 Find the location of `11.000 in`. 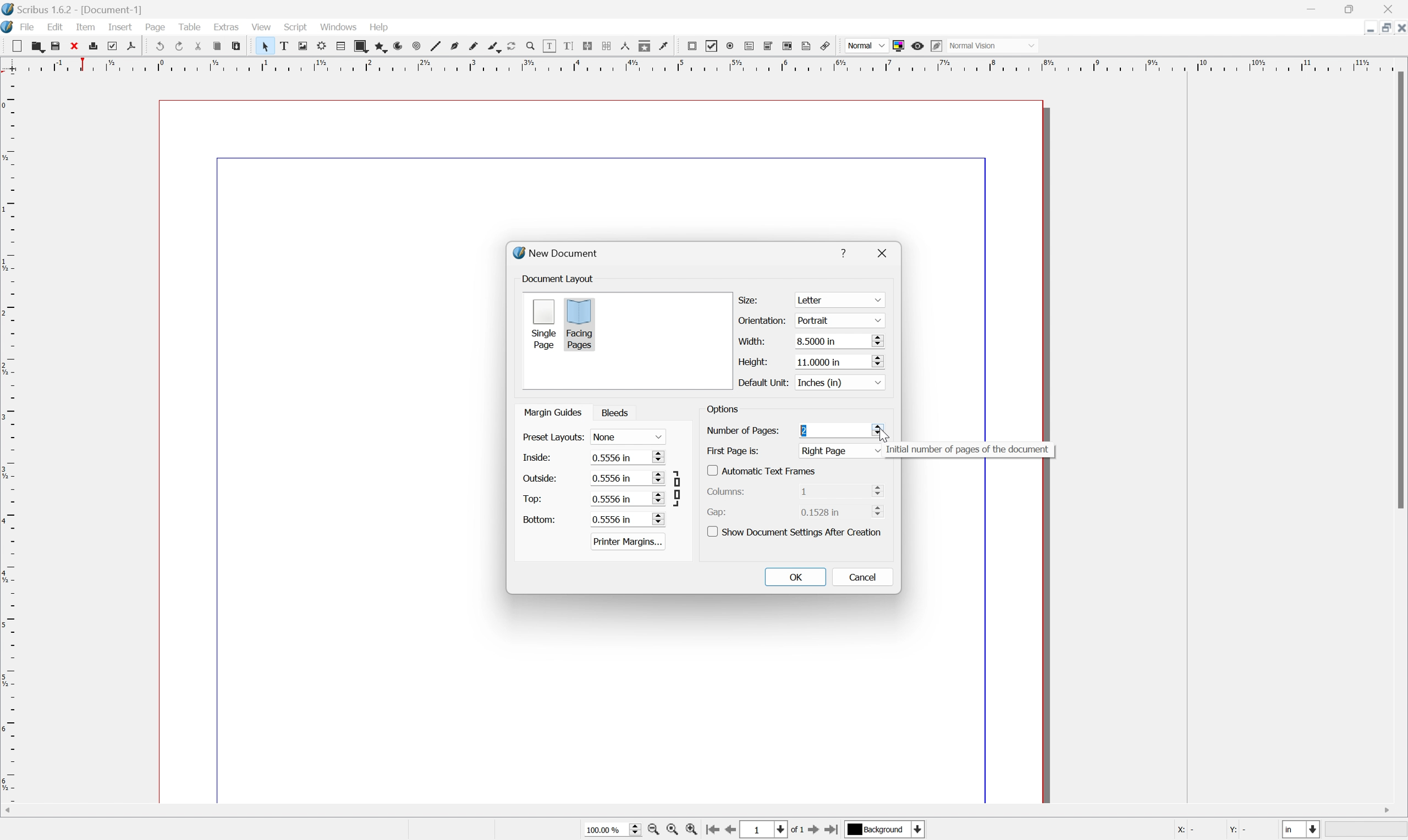

11.000 in is located at coordinates (838, 361).